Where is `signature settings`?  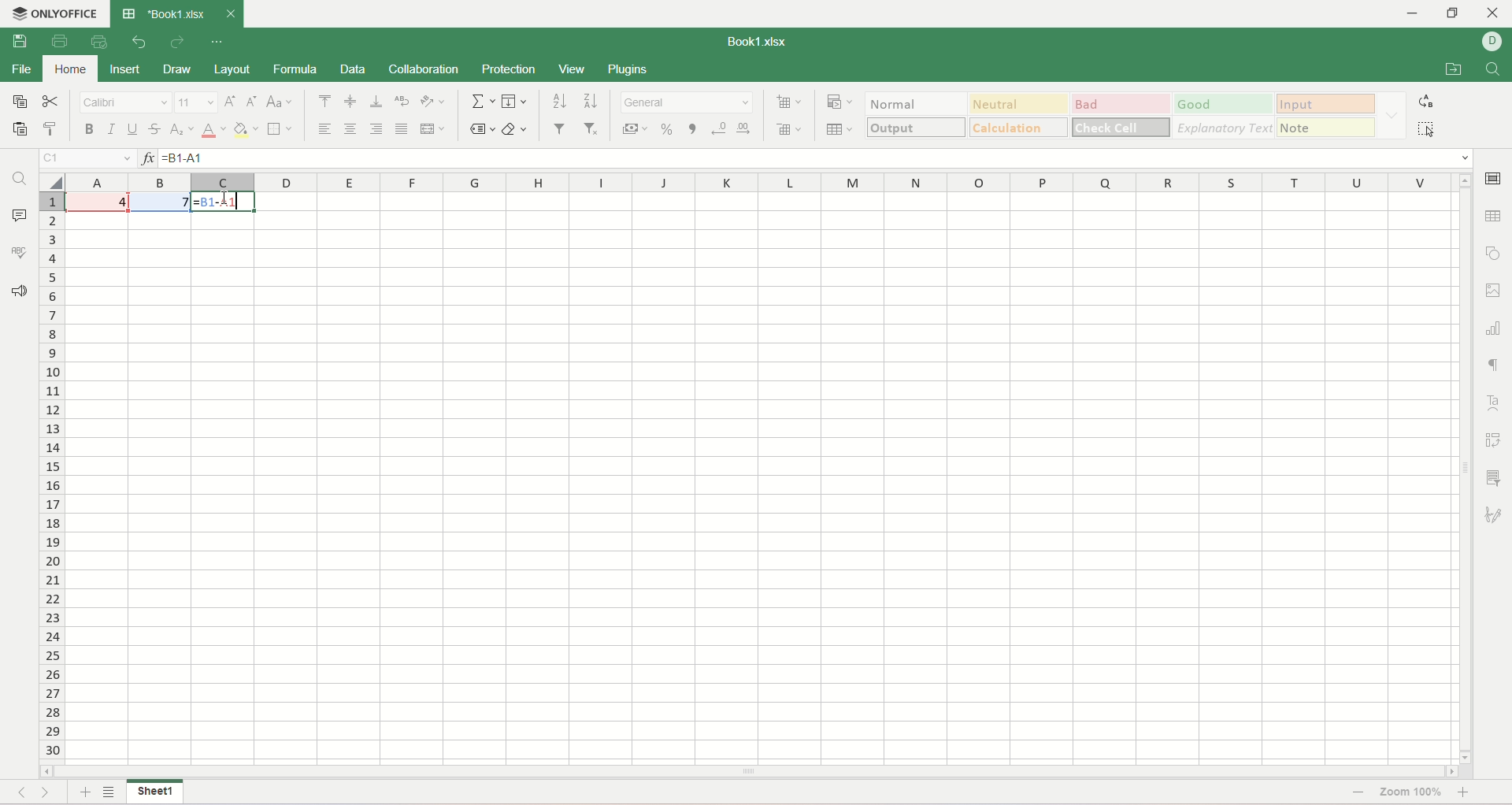
signature settings is located at coordinates (1497, 515).